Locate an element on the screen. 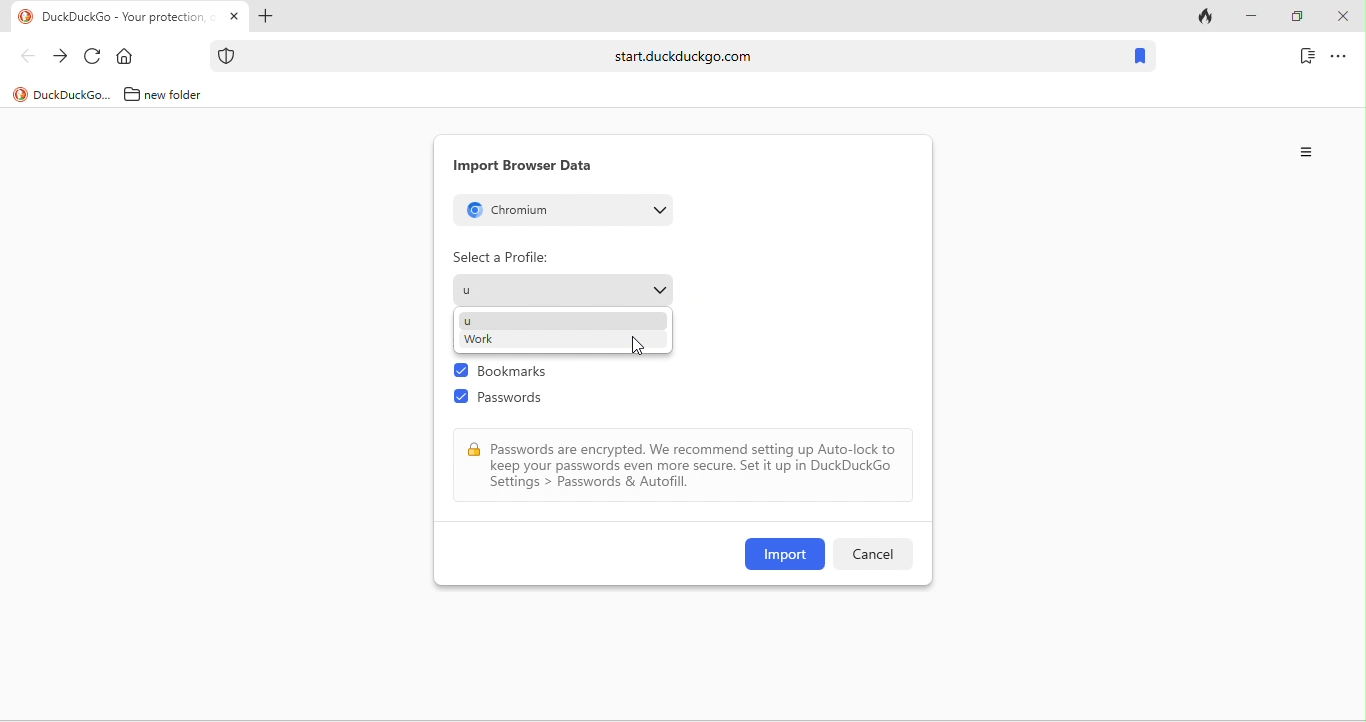 The width and height of the screenshot is (1366, 722). icon is located at coordinates (26, 17).